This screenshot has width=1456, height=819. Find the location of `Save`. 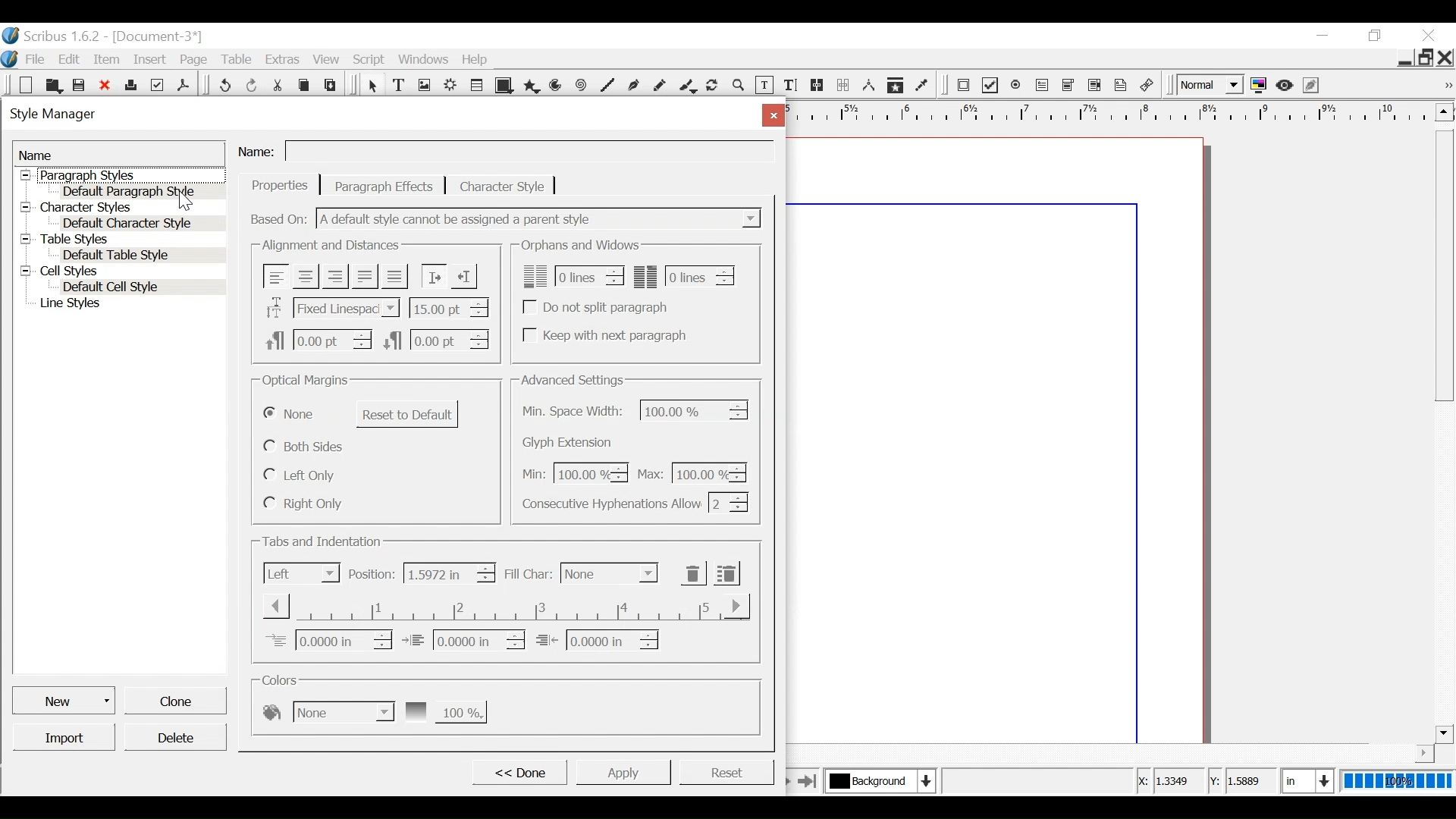

Save is located at coordinates (80, 84).